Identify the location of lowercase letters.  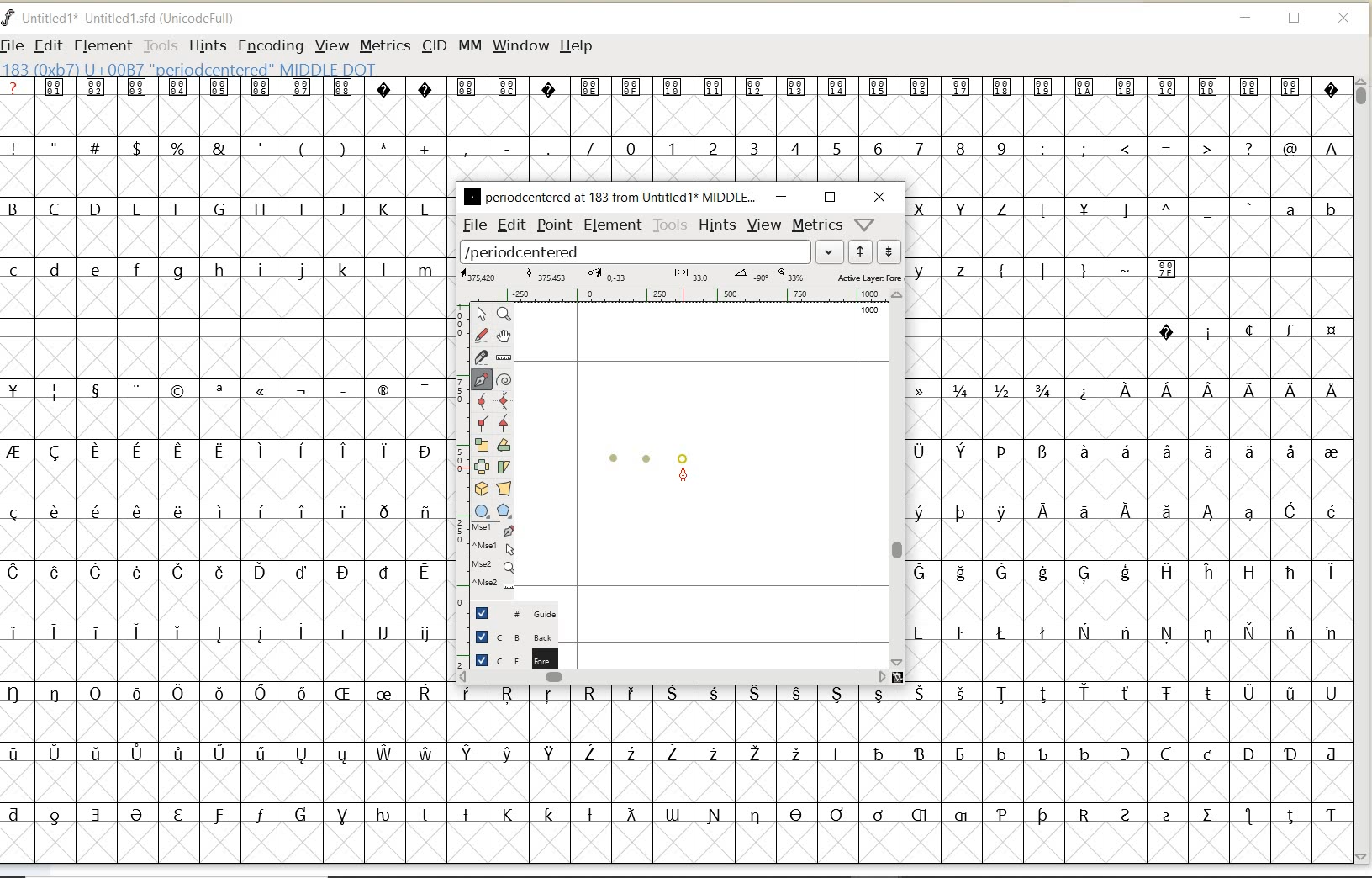
(224, 271).